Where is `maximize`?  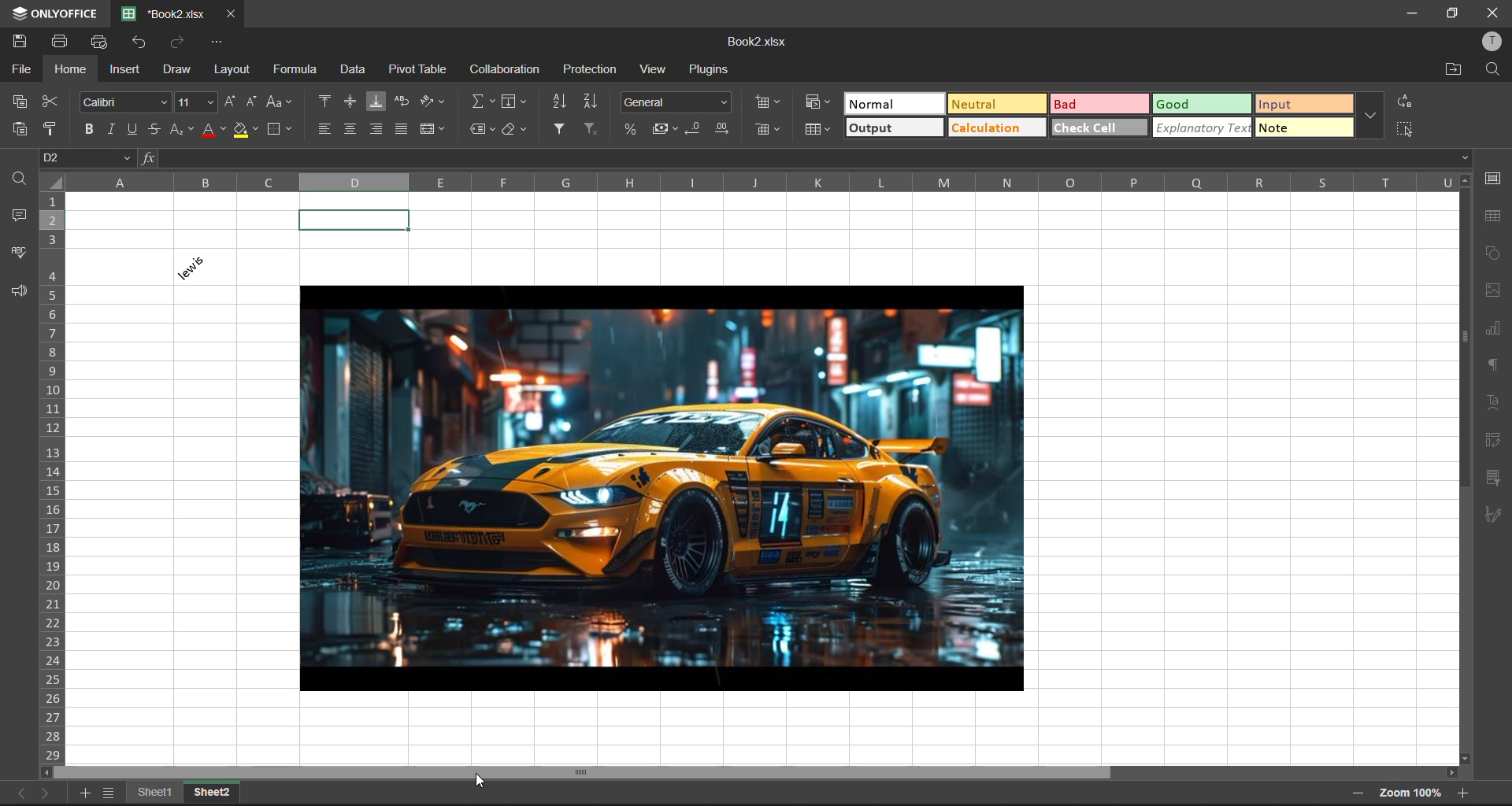 maximize is located at coordinates (1450, 14).